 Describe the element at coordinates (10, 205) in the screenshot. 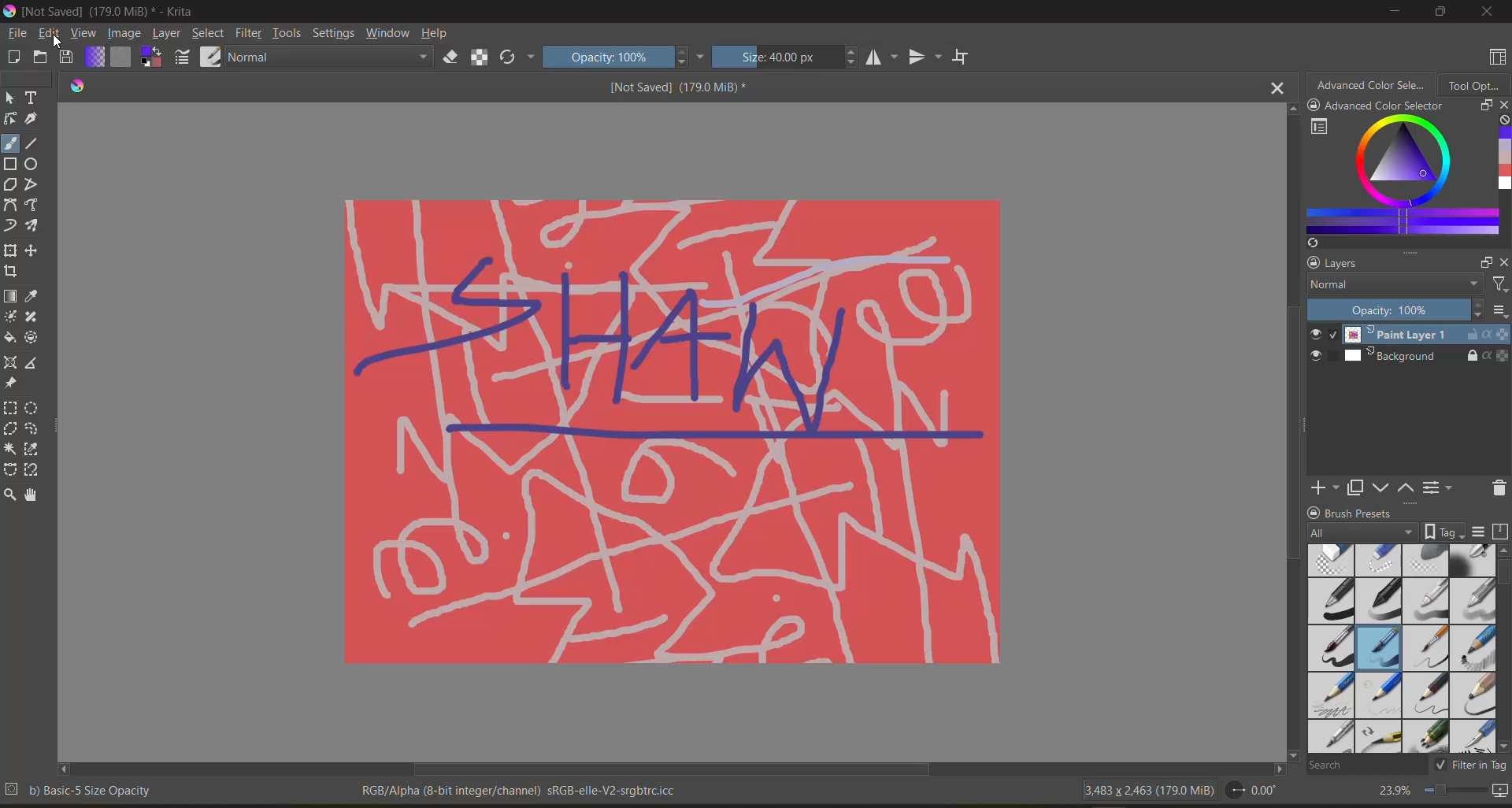

I see `bezier curve tool` at that location.